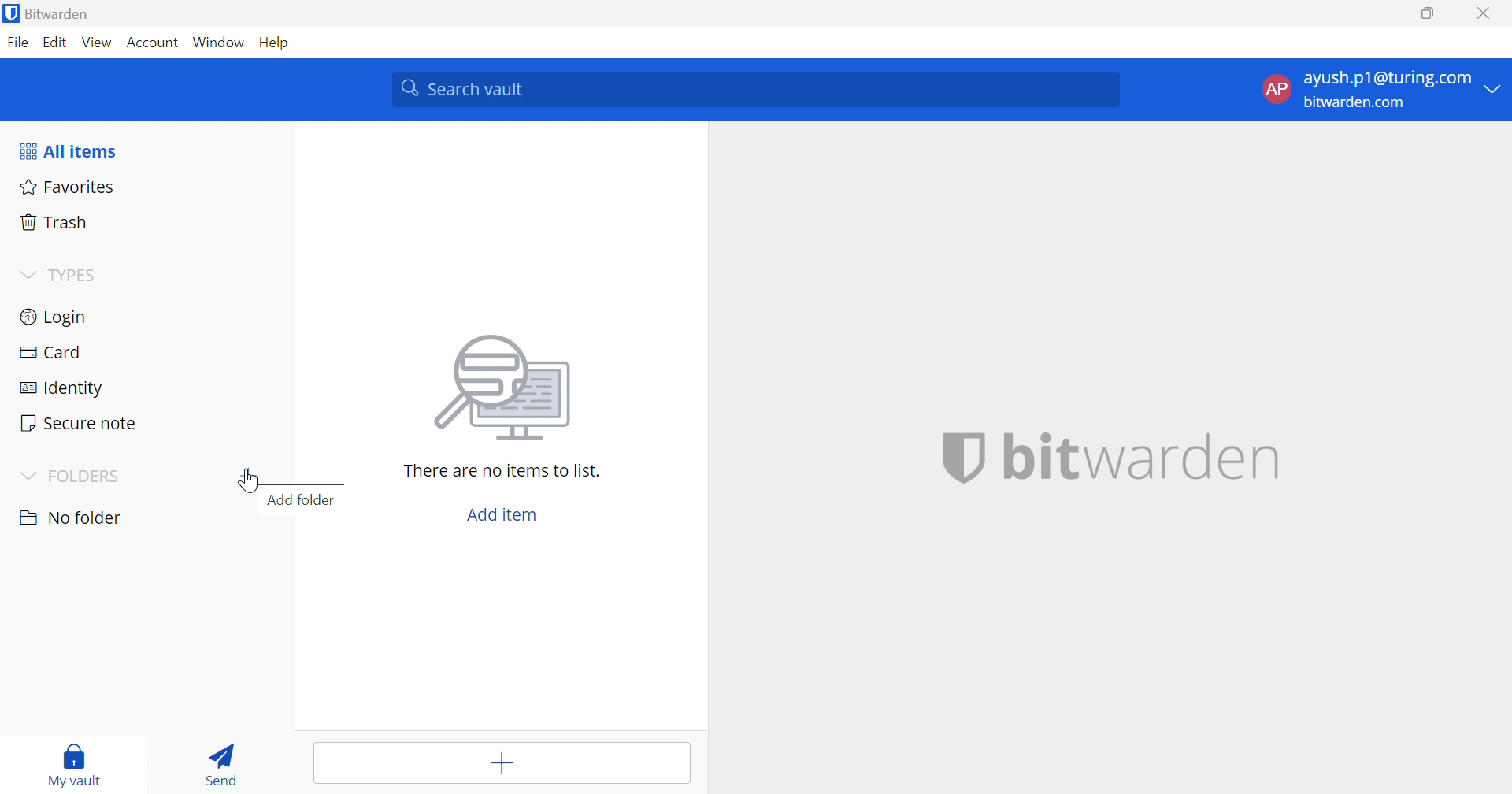 The width and height of the screenshot is (1512, 794). What do you see at coordinates (68, 151) in the screenshot?
I see `All items` at bounding box center [68, 151].